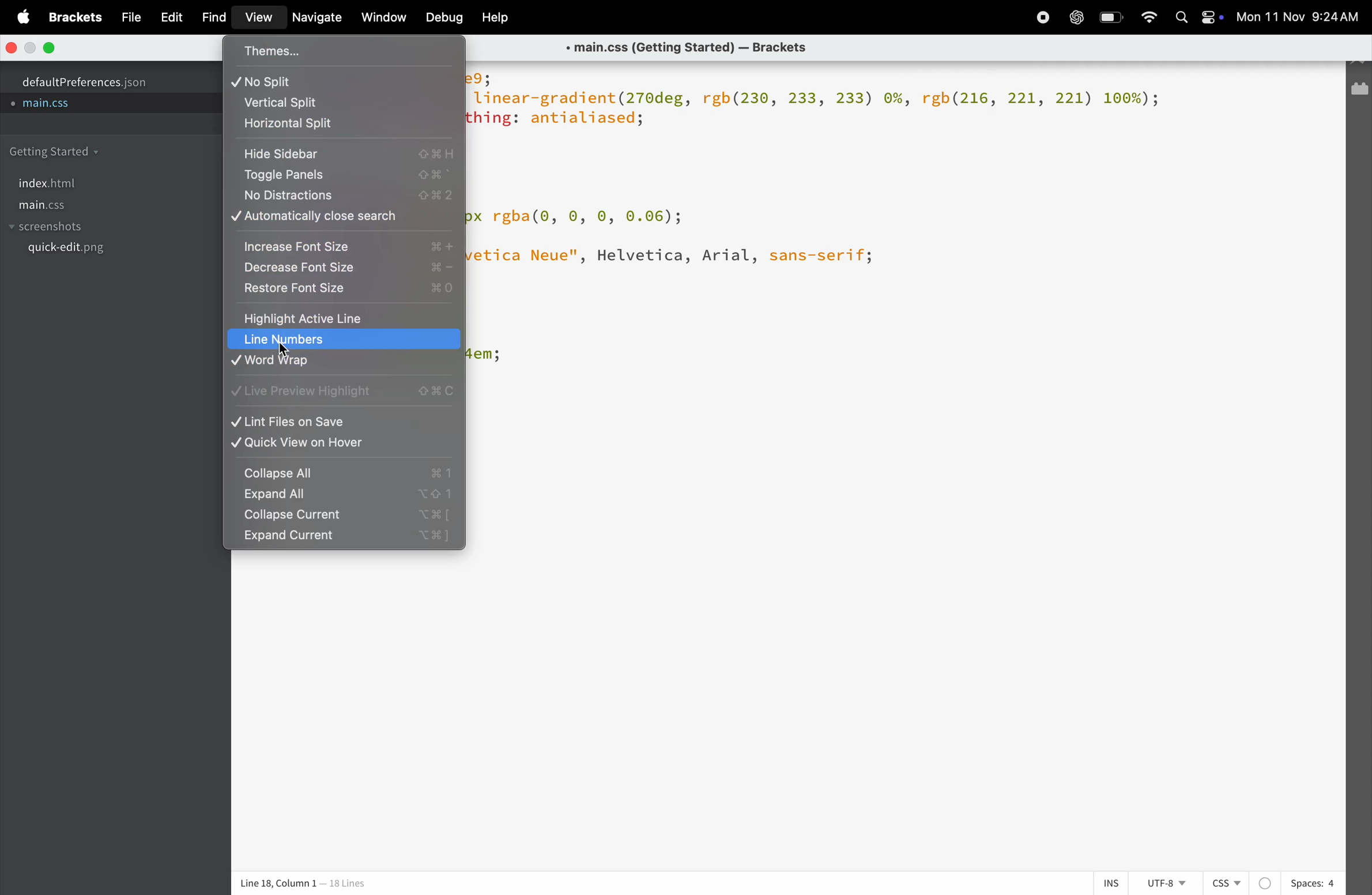  I want to click on wifi, so click(1148, 17).